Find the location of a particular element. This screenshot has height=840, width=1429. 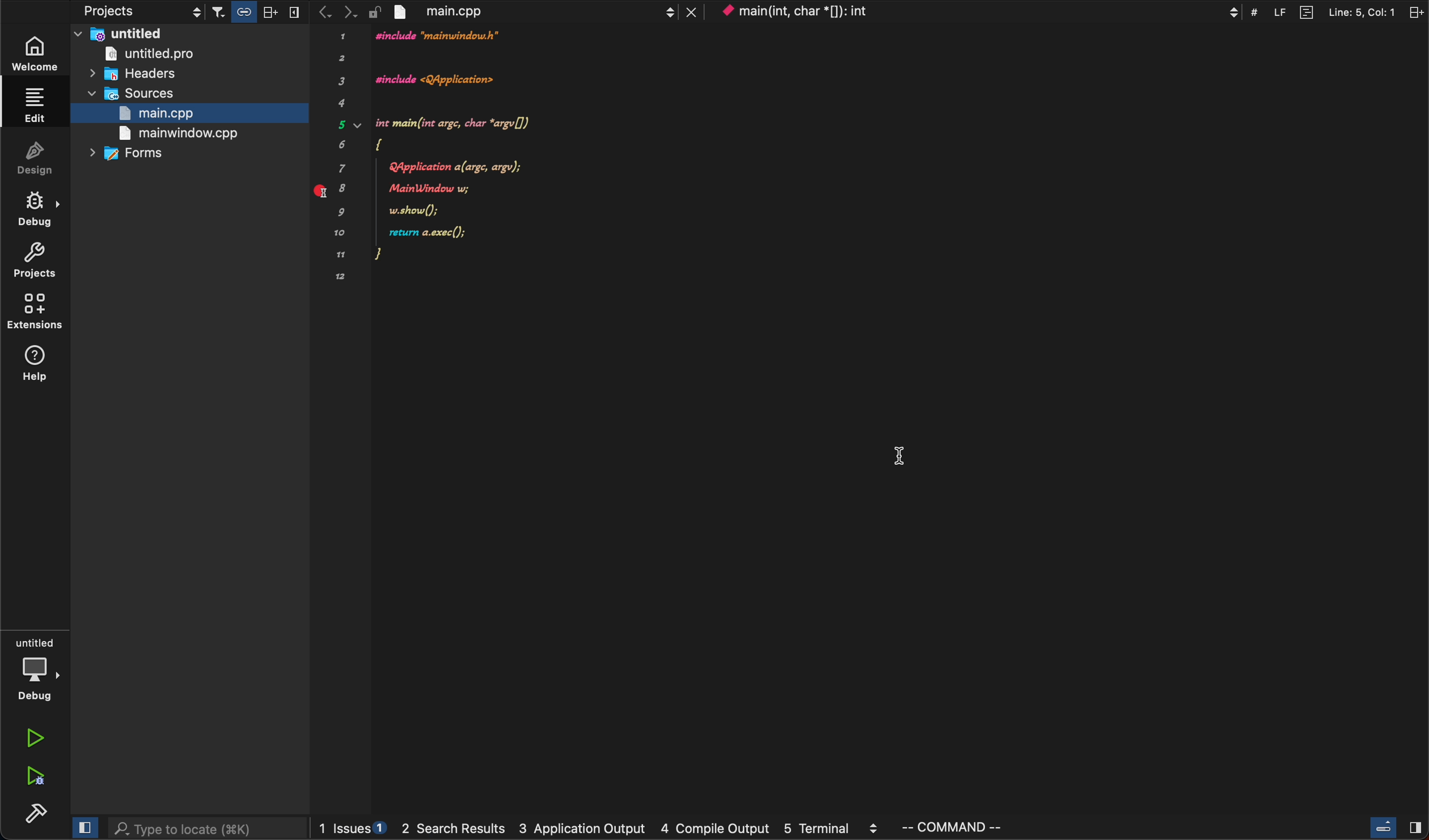

file tab is located at coordinates (536, 12).